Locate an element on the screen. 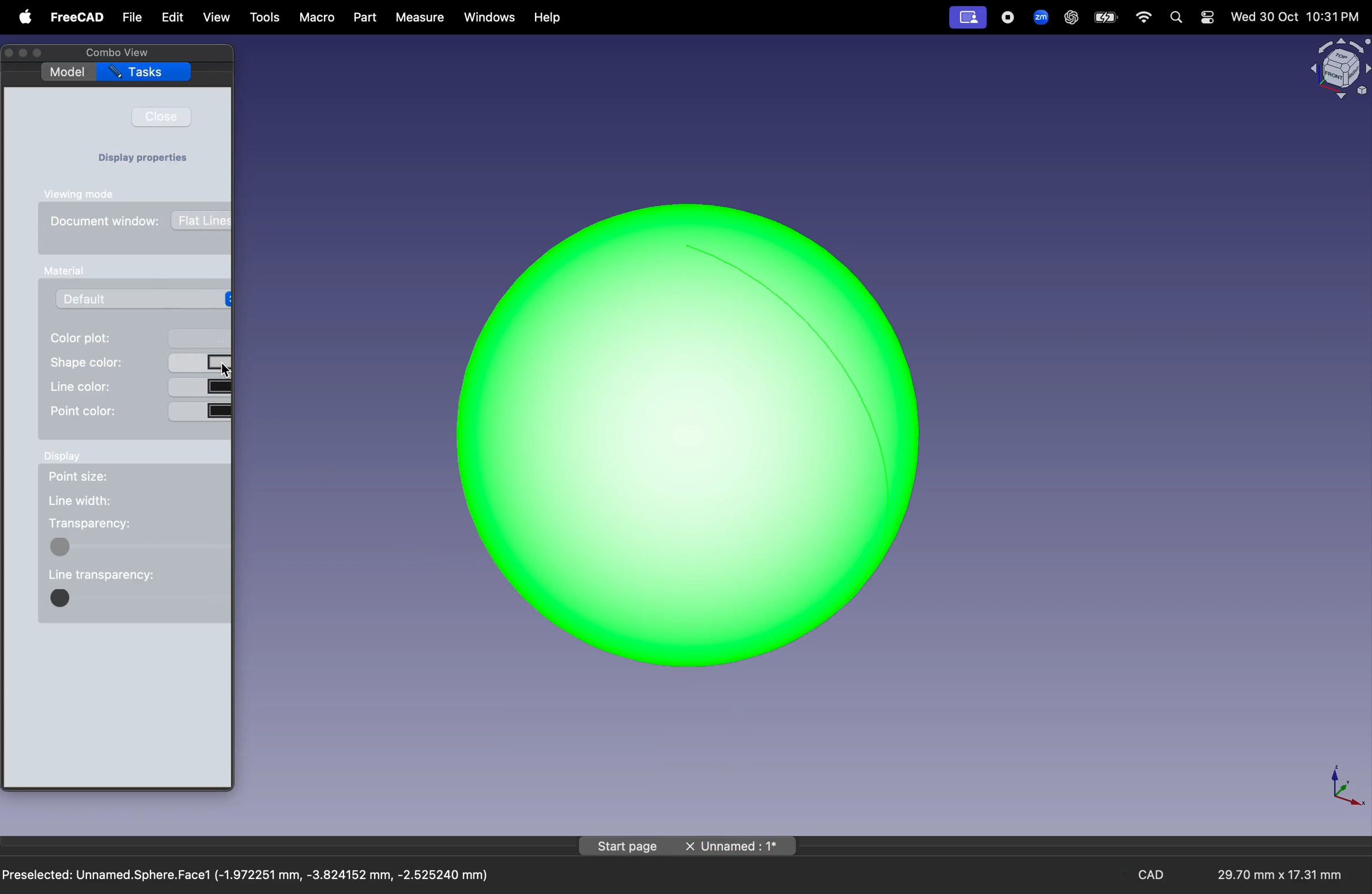  search is located at coordinates (1175, 17).